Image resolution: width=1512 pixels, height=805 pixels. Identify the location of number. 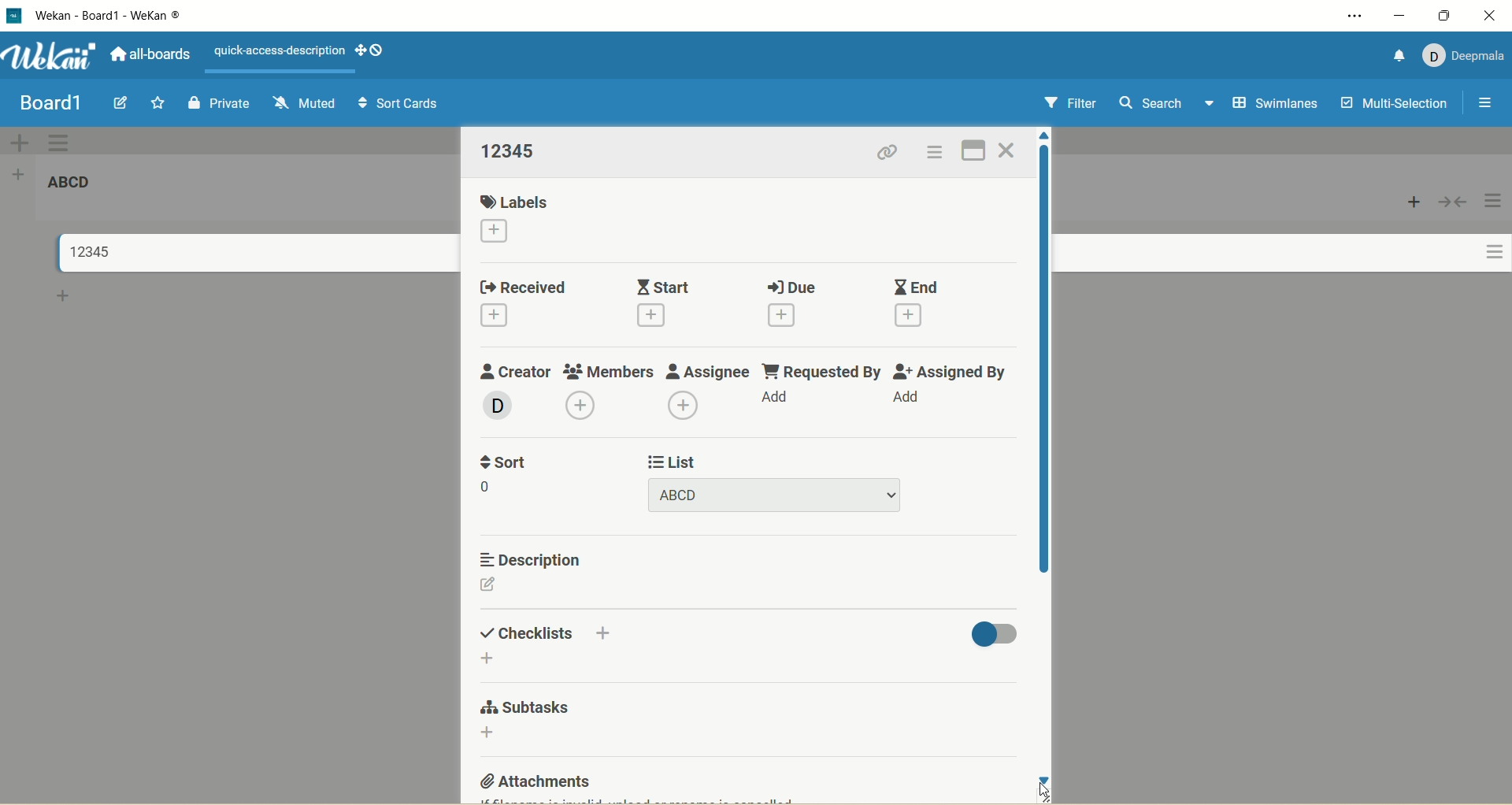
(488, 485).